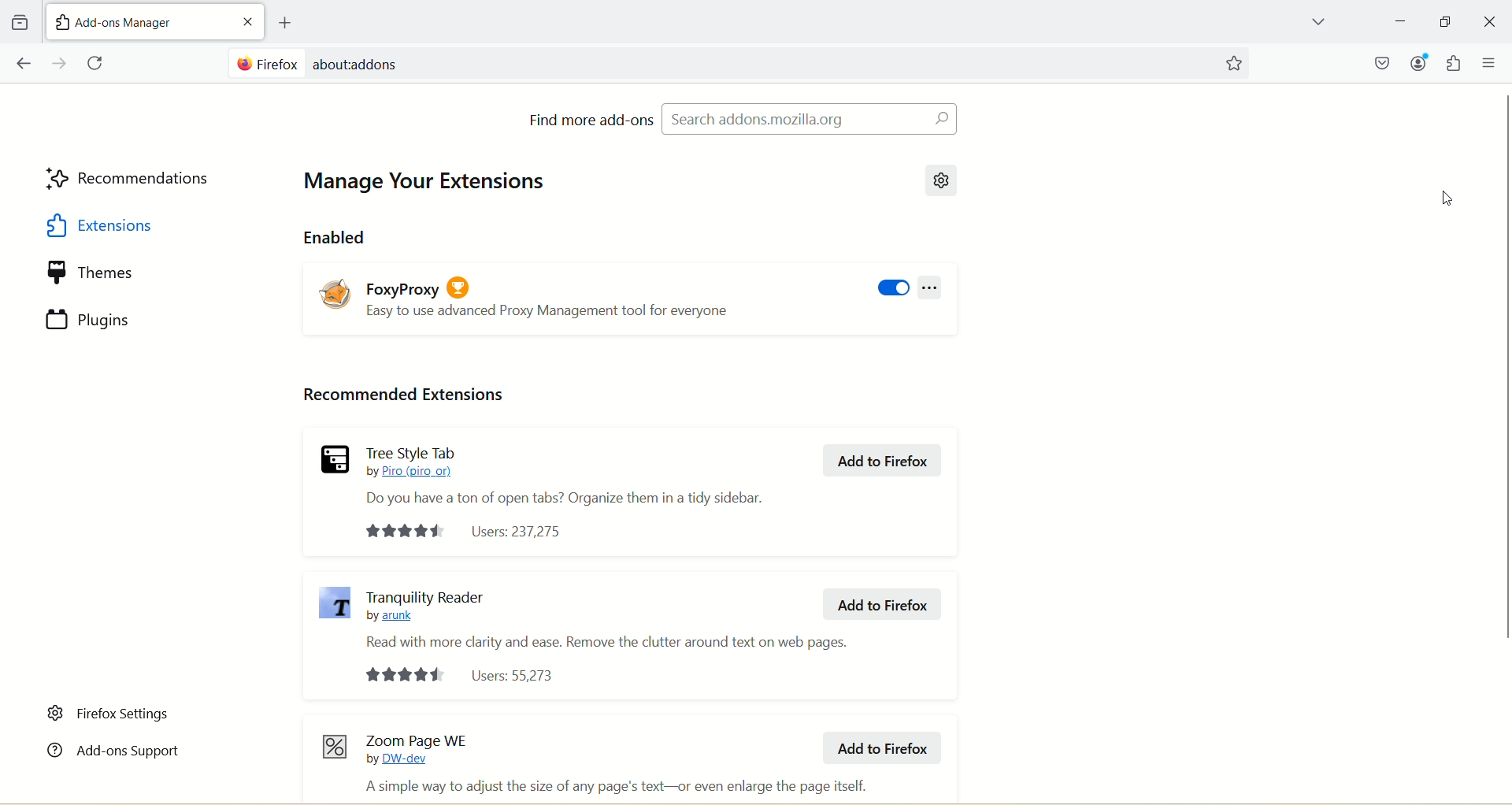 The height and width of the screenshot is (805, 1512). What do you see at coordinates (130, 180) in the screenshot?
I see `Recommendation` at bounding box center [130, 180].